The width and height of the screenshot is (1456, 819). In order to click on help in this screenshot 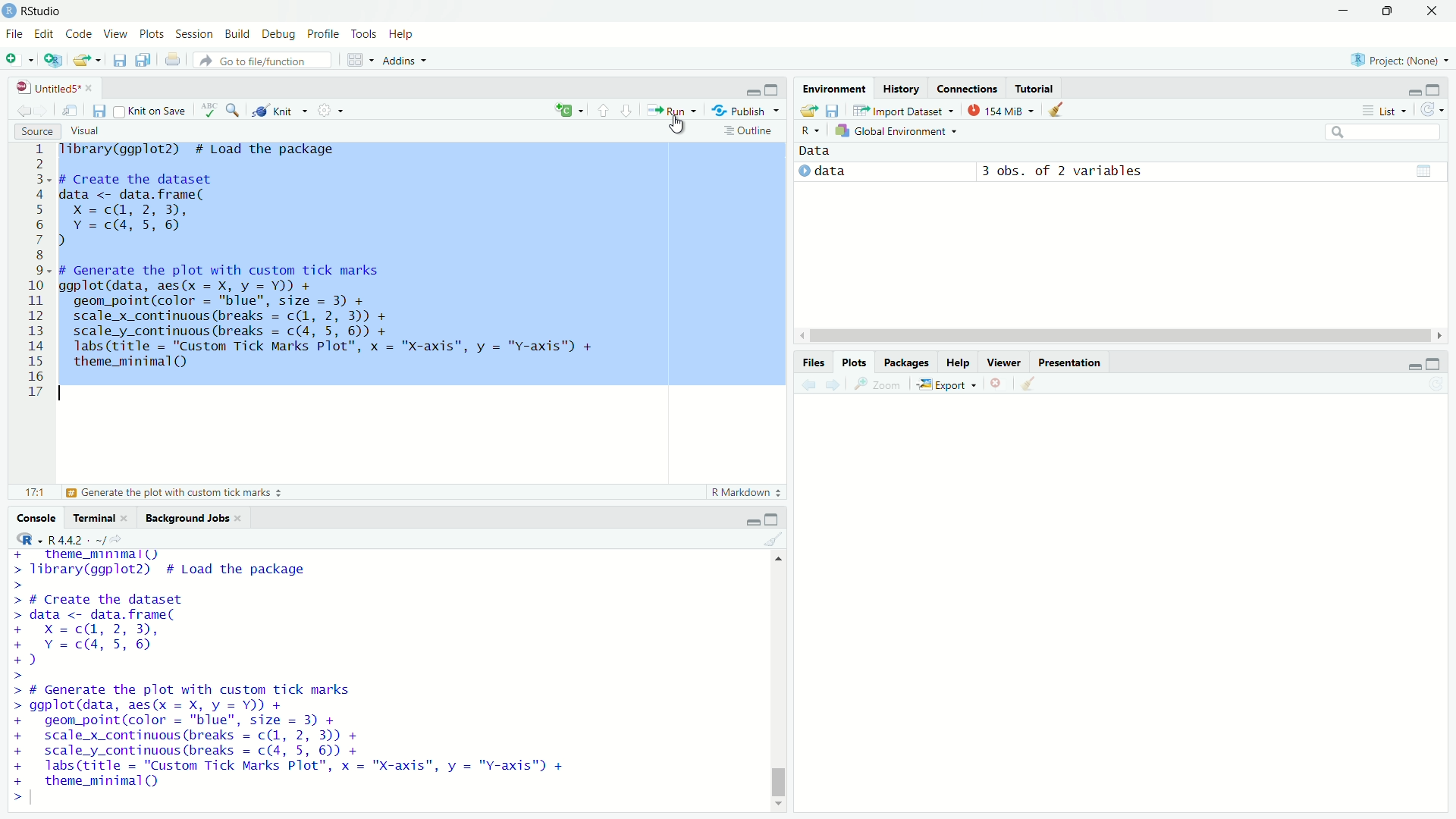, I will do `click(959, 361)`.